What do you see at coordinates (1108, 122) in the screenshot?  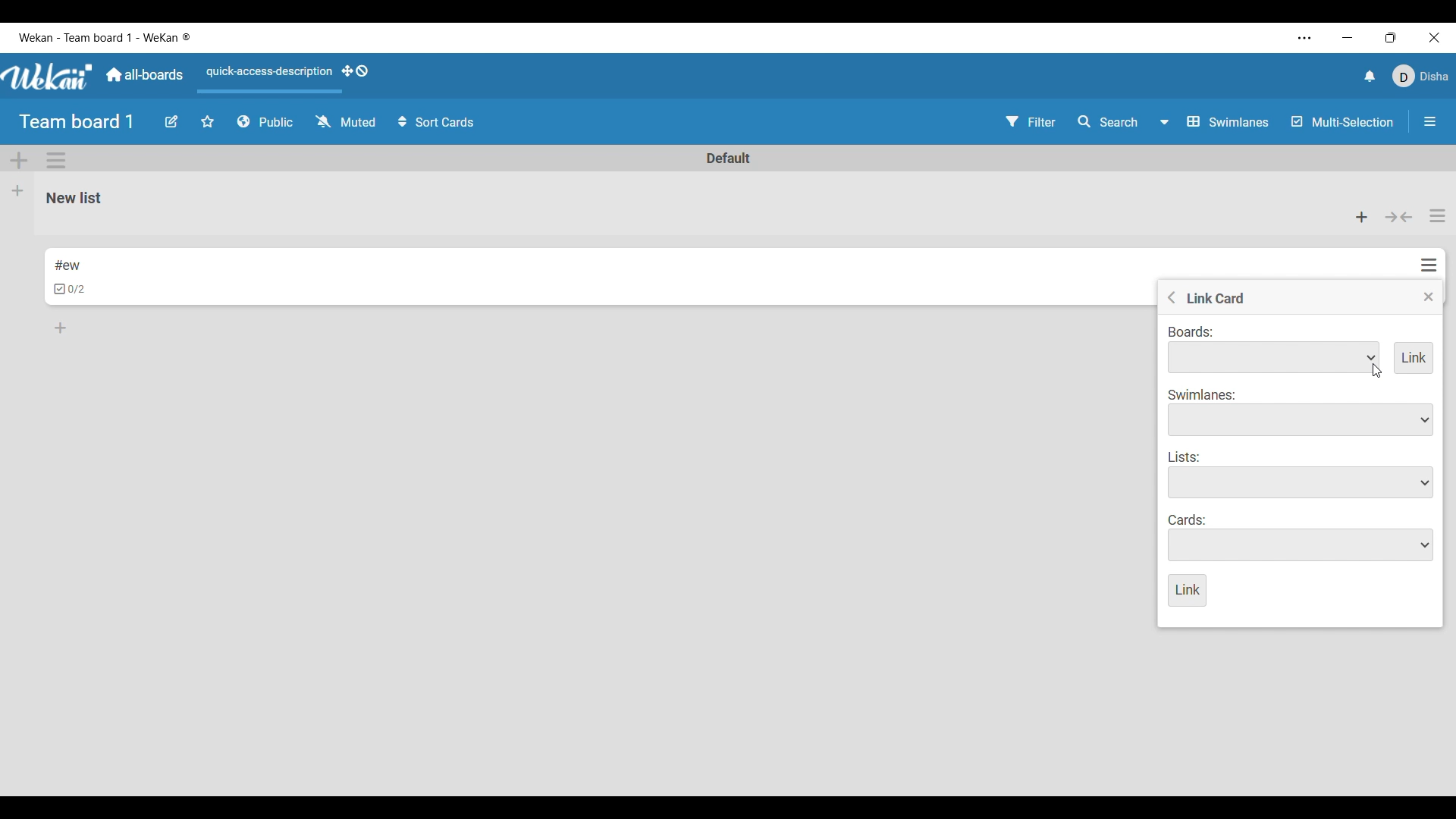 I see `Search` at bounding box center [1108, 122].